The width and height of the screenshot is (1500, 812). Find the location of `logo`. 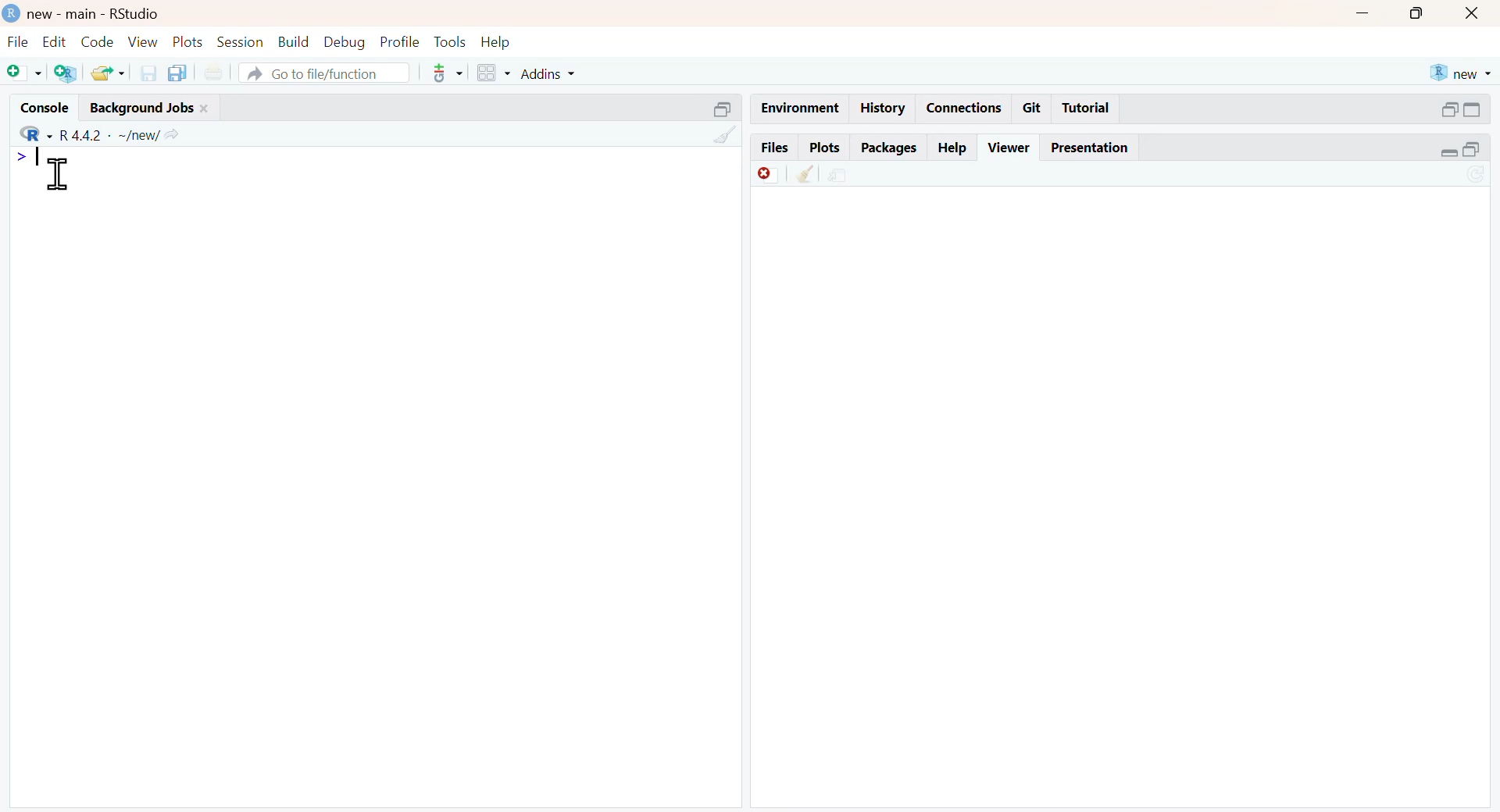

logo is located at coordinates (12, 14).